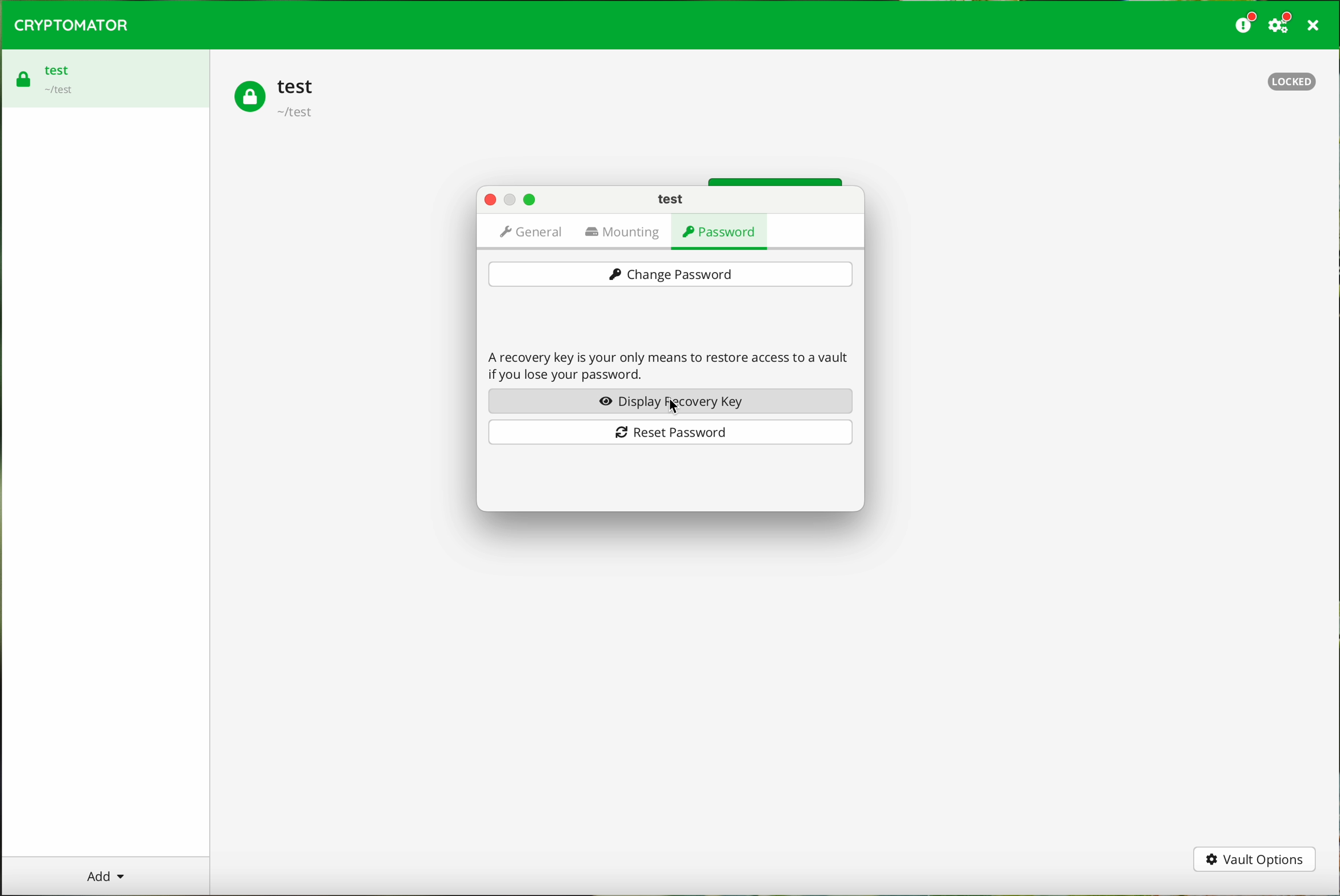 Image resolution: width=1340 pixels, height=896 pixels. I want to click on general, so click(533, 231).